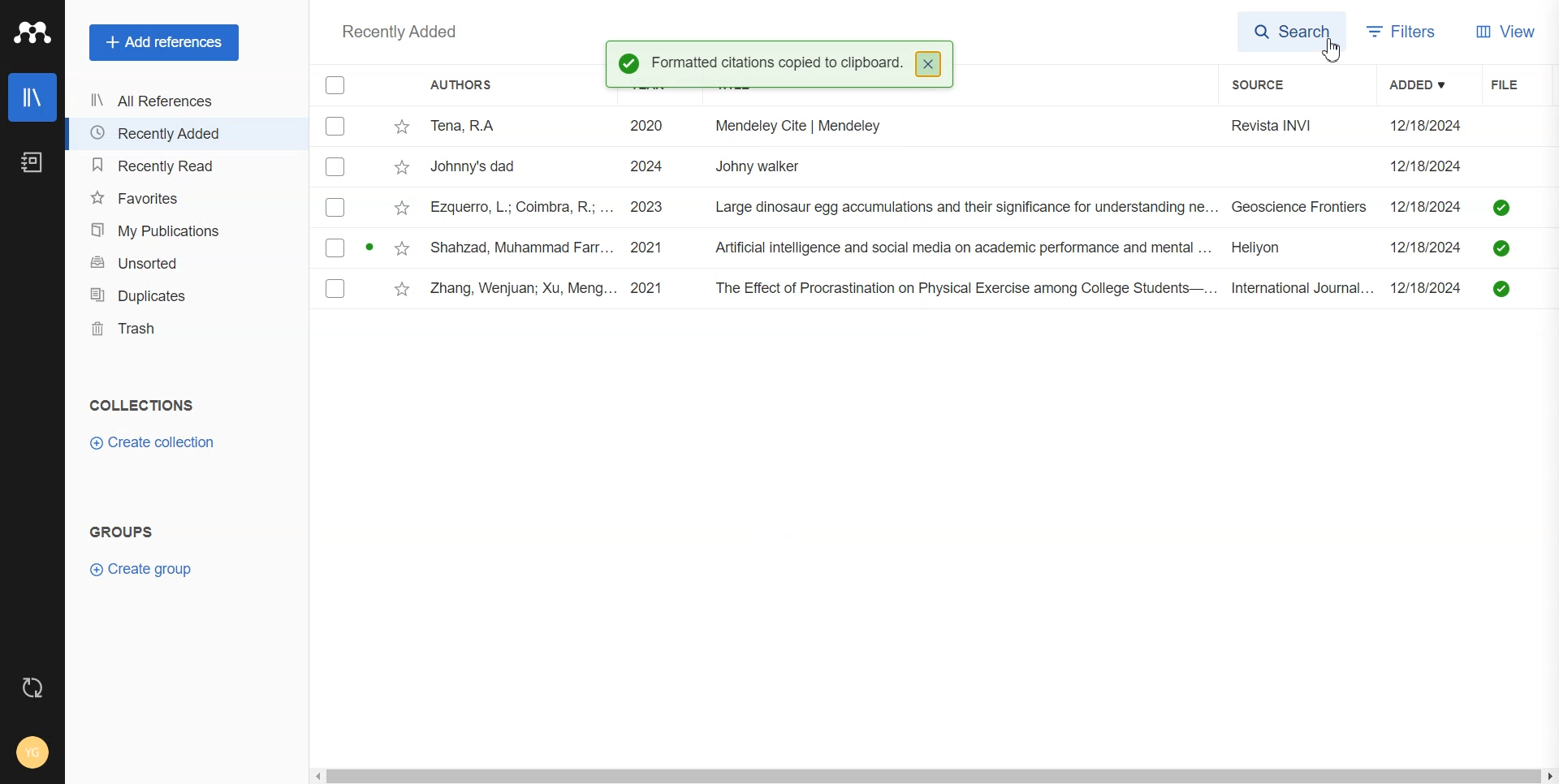  I want to click on Shahzad, Muhammad Farr... 2021 Artificial intelligence and social media on academic performance and mental ...  Heliyon, so click(900, 247).